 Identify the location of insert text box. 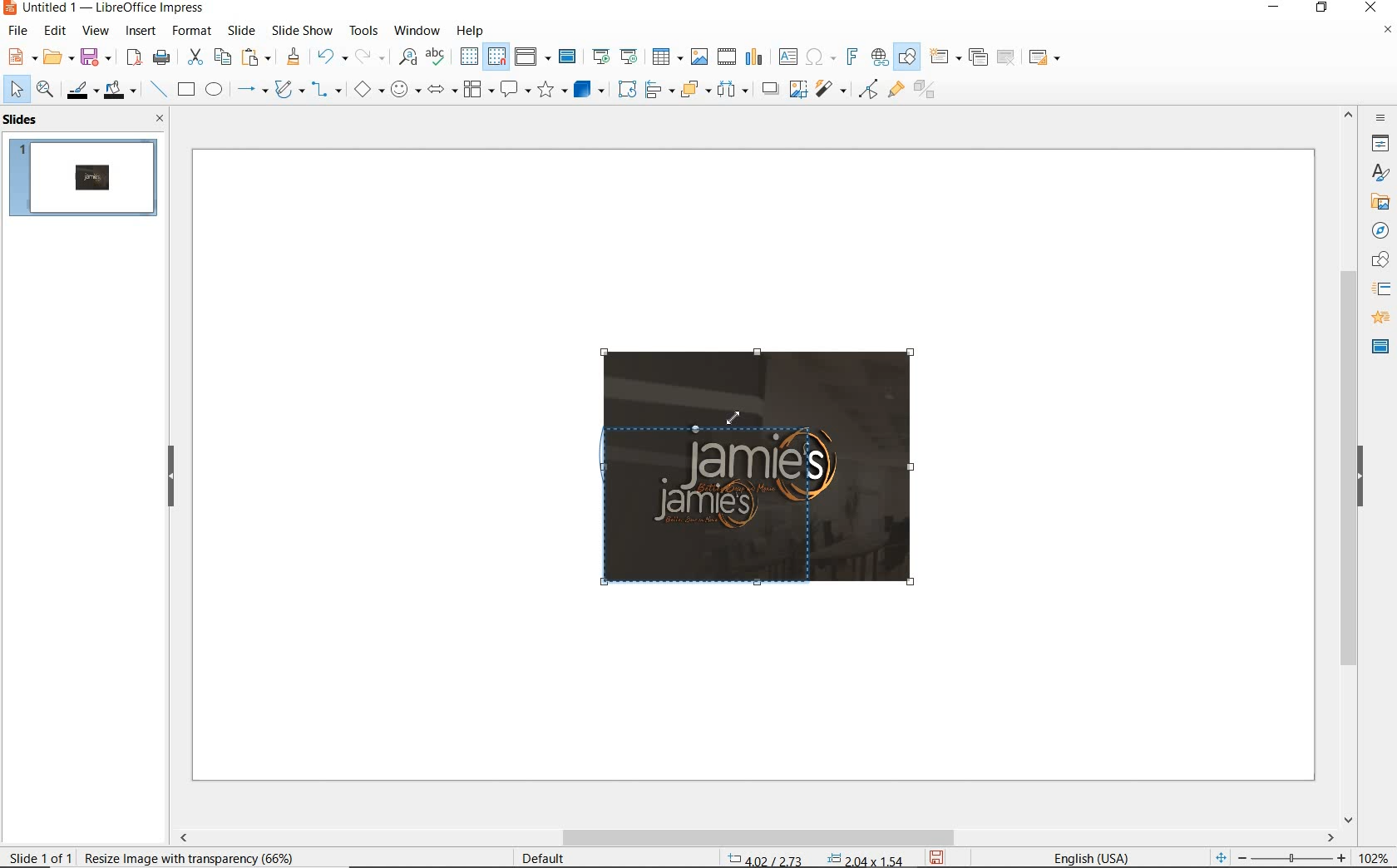
(787, 57).